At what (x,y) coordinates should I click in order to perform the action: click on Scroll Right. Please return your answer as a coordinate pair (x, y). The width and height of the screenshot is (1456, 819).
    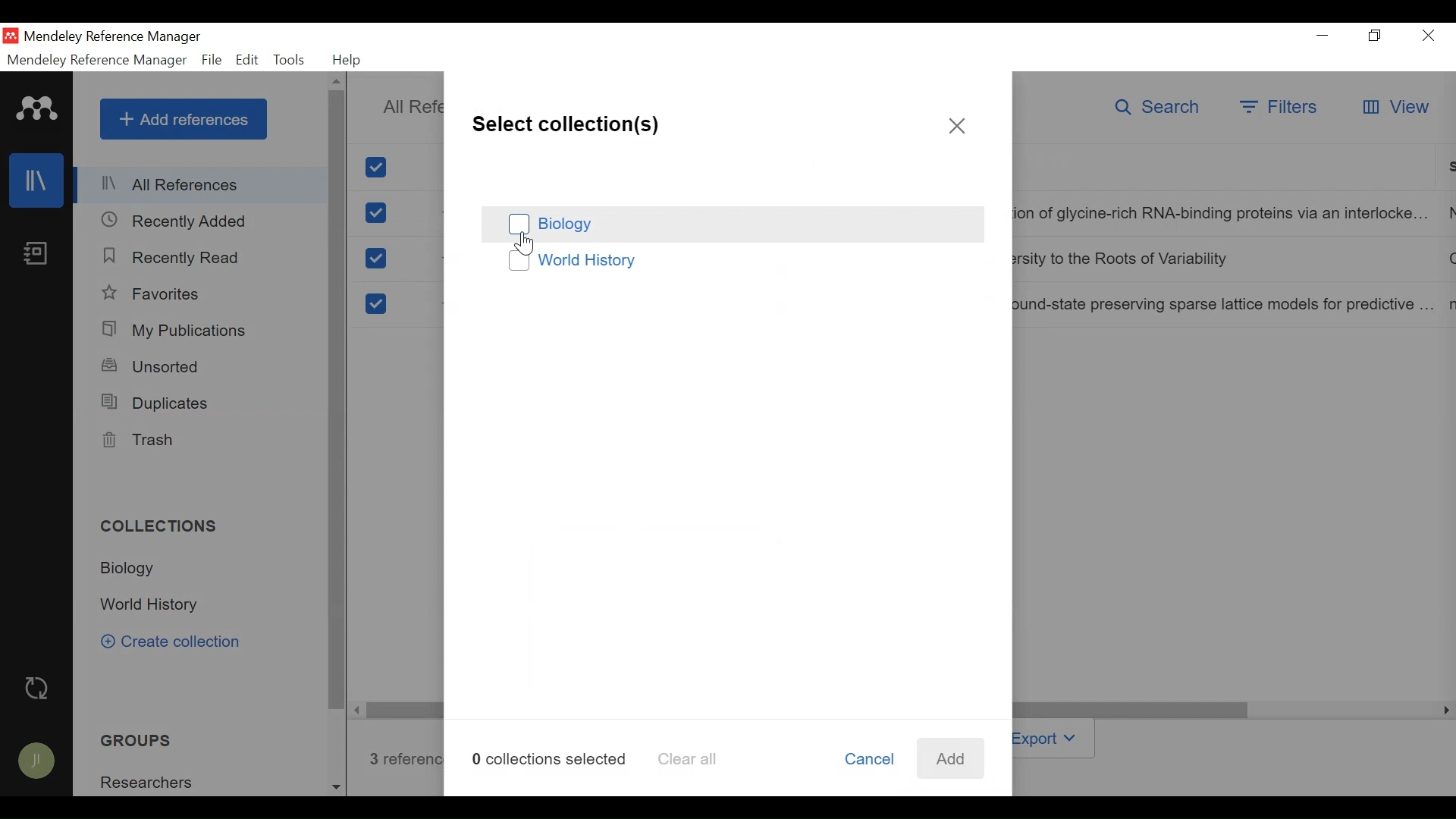
    Looking at the image, I should click on (358, 710).